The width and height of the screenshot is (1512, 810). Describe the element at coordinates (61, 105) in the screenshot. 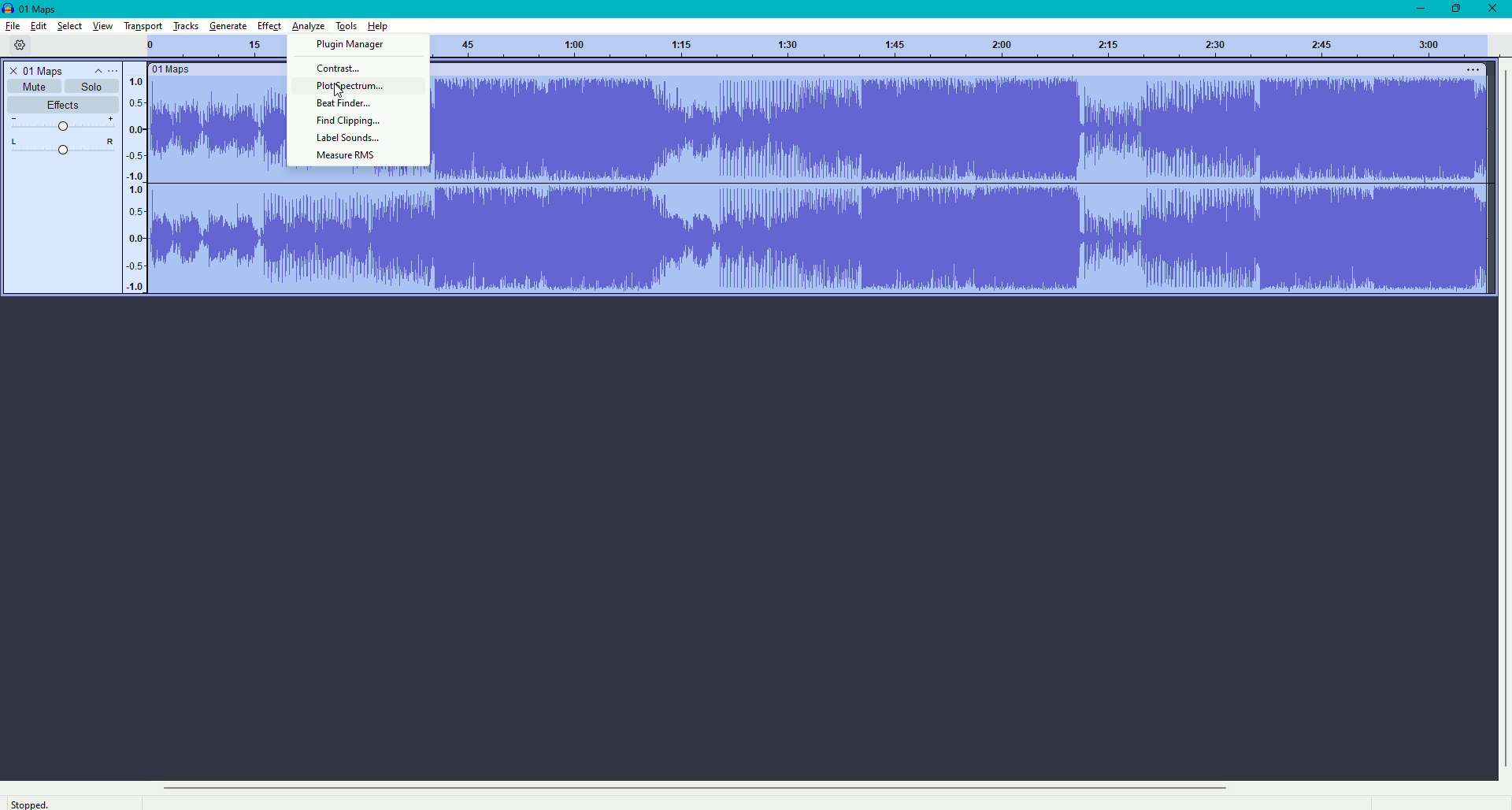

I see `Effects` at that location.